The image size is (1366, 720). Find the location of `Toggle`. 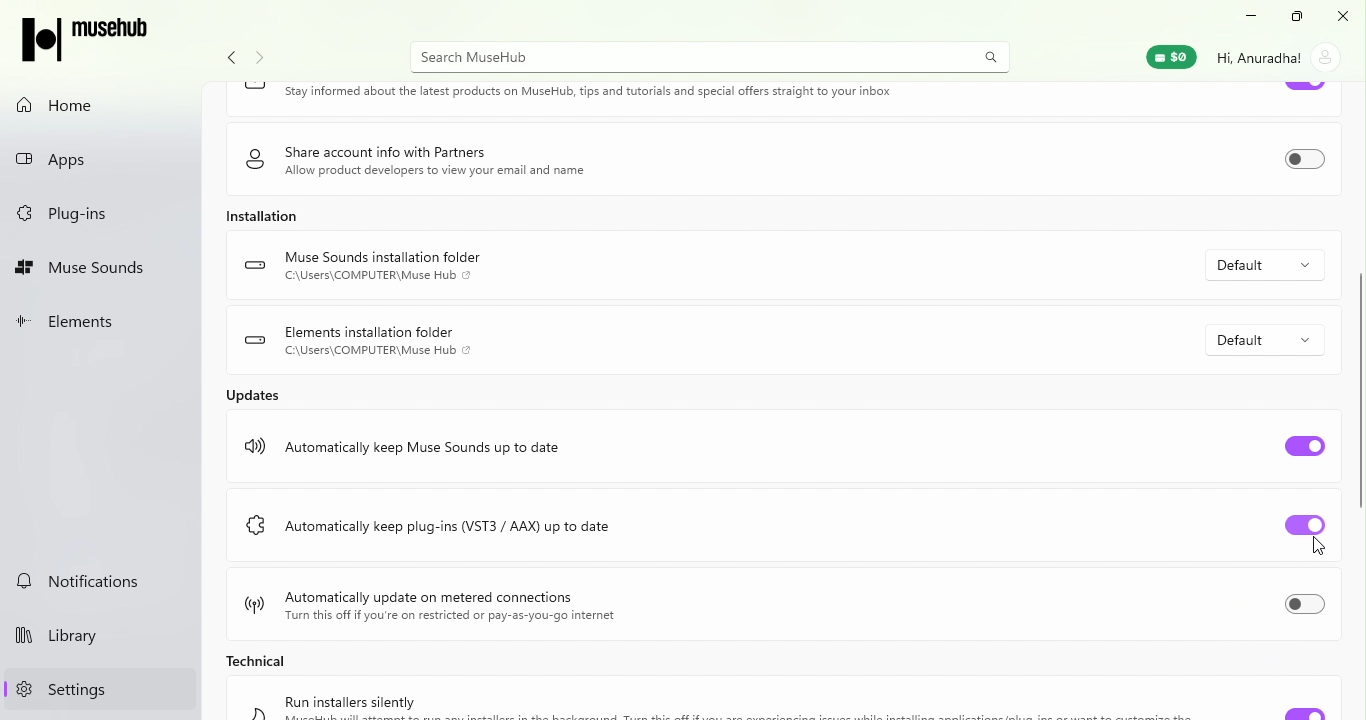

Toggle is located at coordinates (1306, 523).